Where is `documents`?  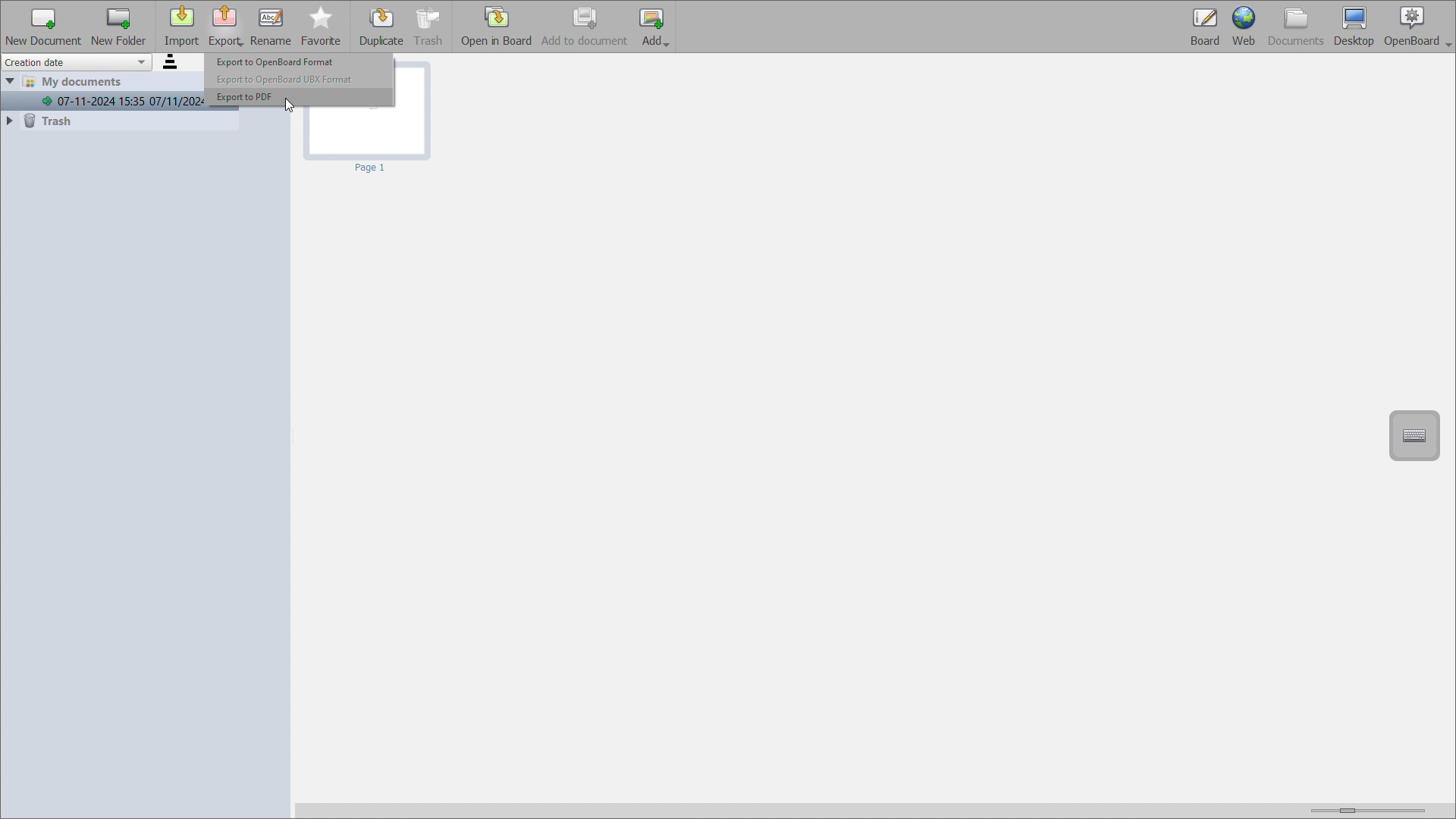 documents is located at coordinates (1297, 27).